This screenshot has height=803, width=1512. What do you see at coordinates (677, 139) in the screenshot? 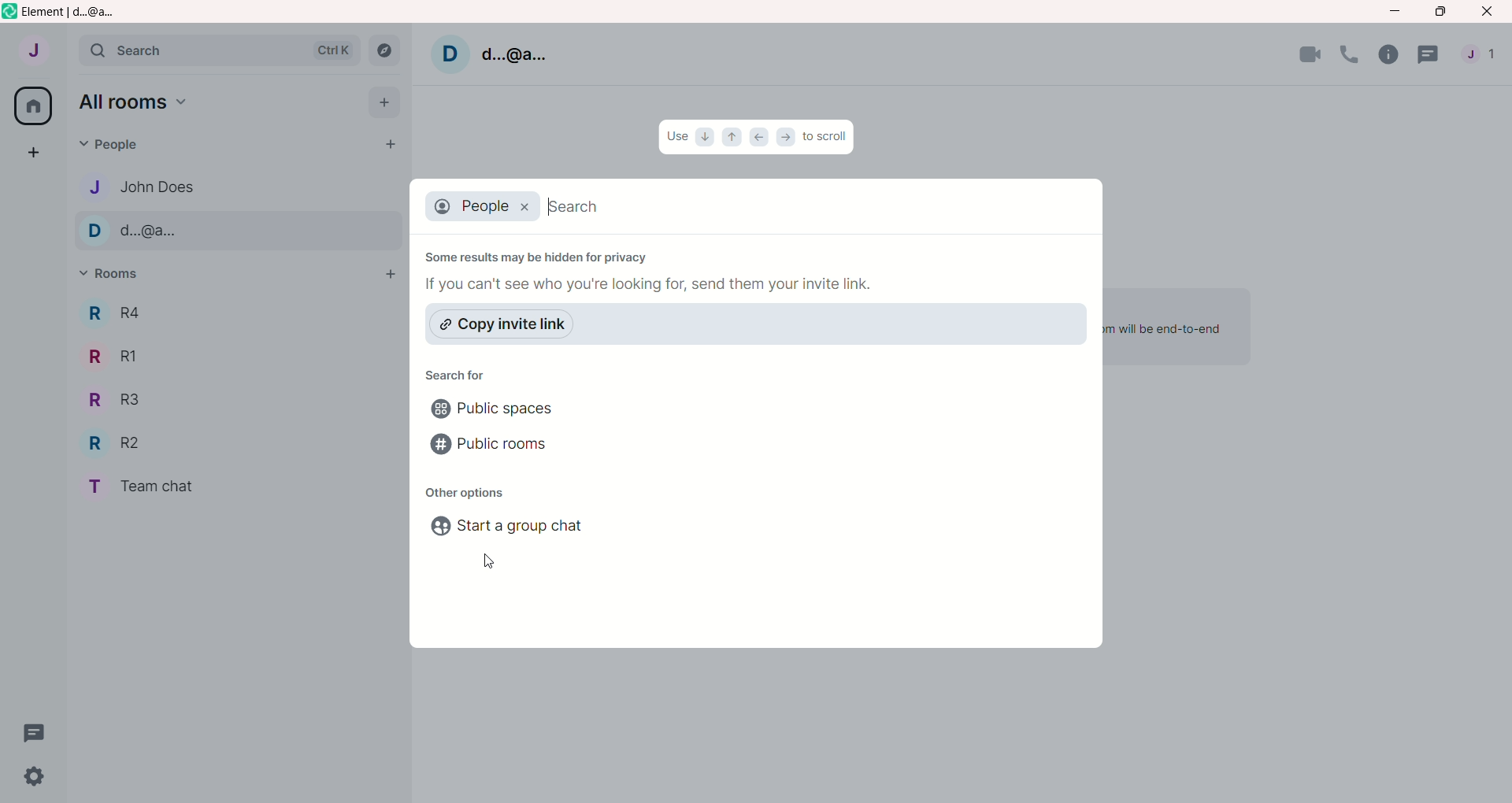
I see `Use` at bounding box center [677, 139].